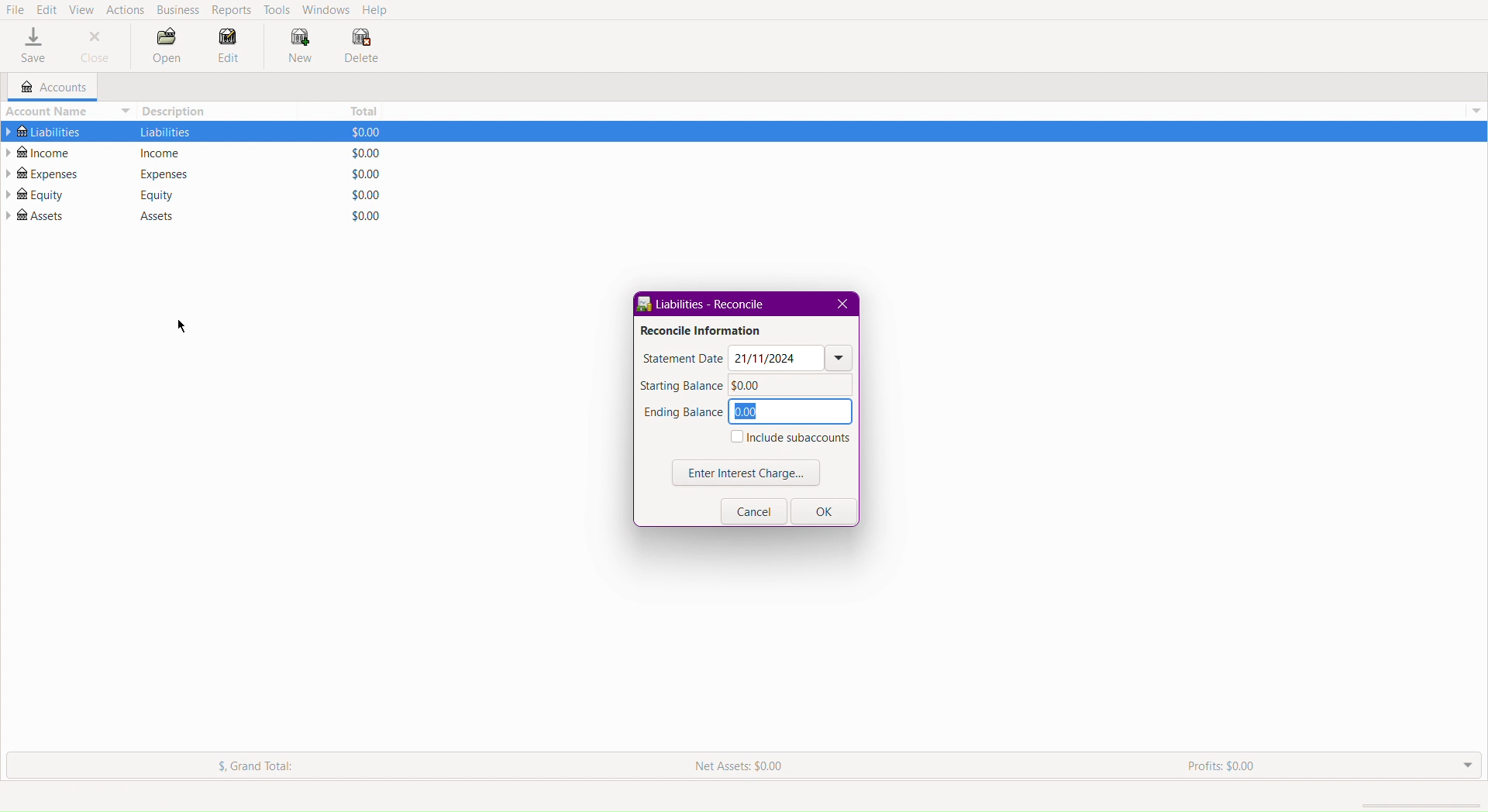 The image size is (1488, 812). What do you see at coordinates (27, 47) in the screenshot?
I see `Save` at bounding box center [27, 47].